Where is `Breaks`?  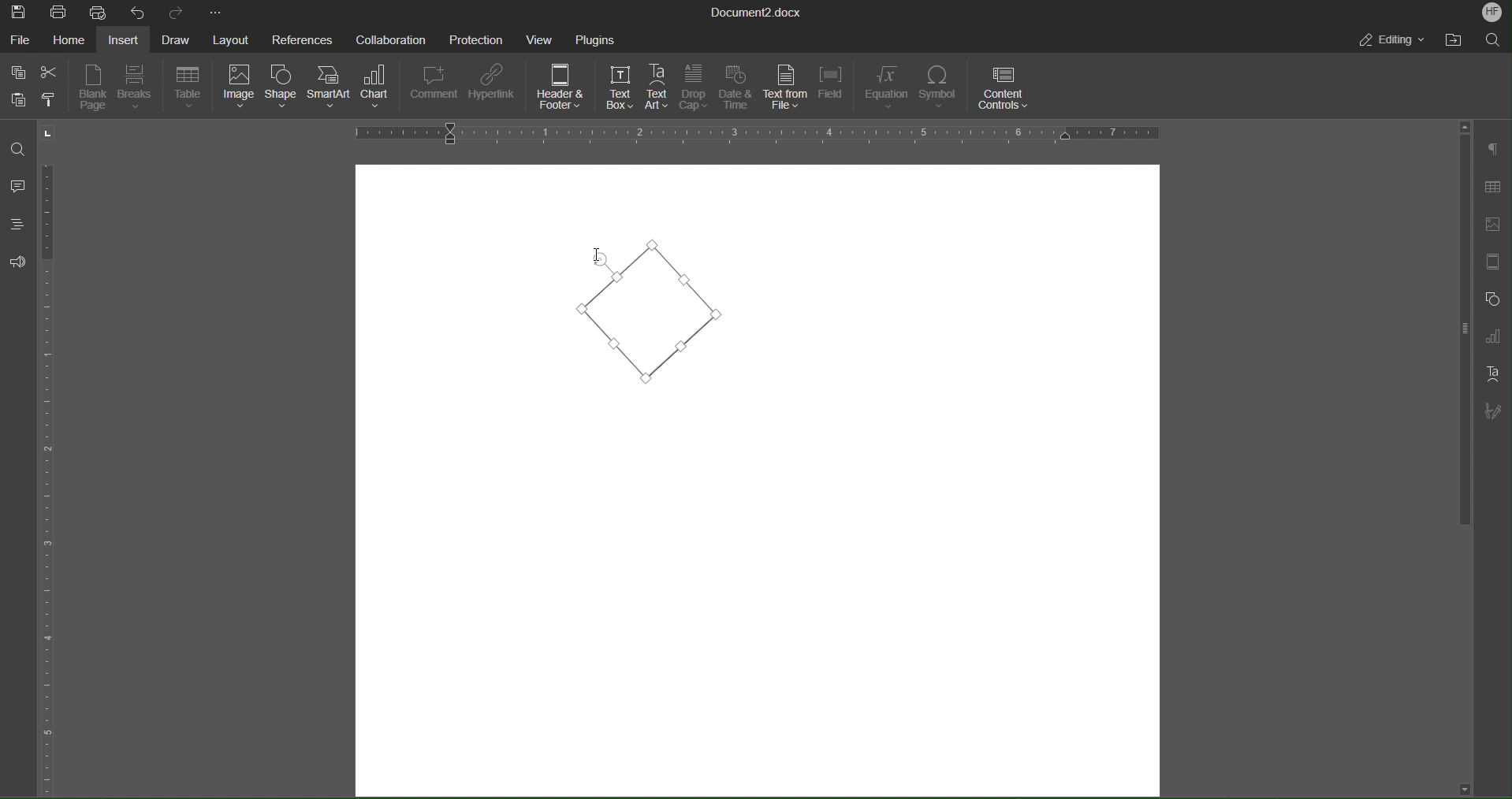
Breaks is located at coordinates (138, 88).